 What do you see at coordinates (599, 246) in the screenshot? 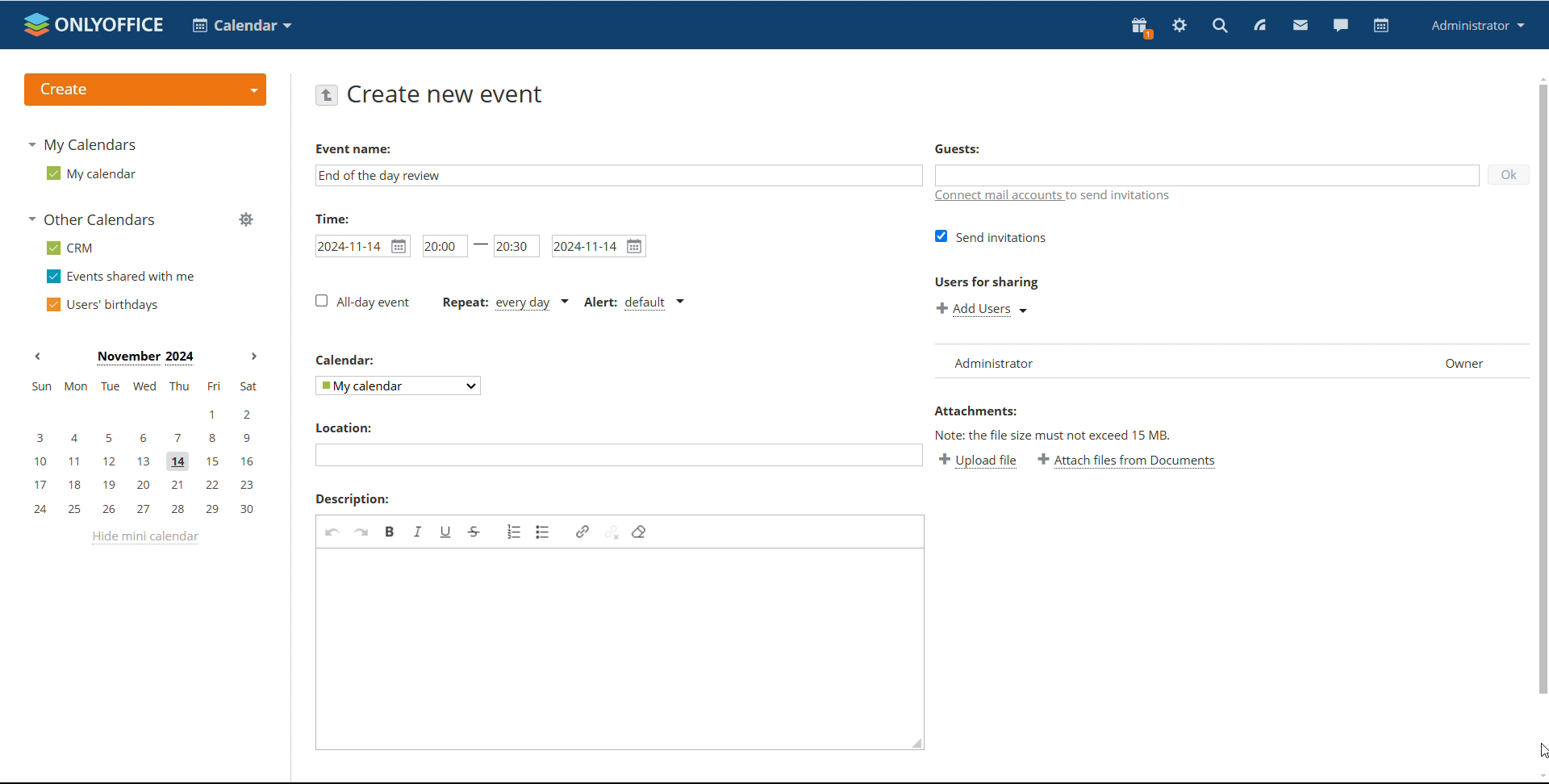
I see `set end date` at bounding box center [599, 246].